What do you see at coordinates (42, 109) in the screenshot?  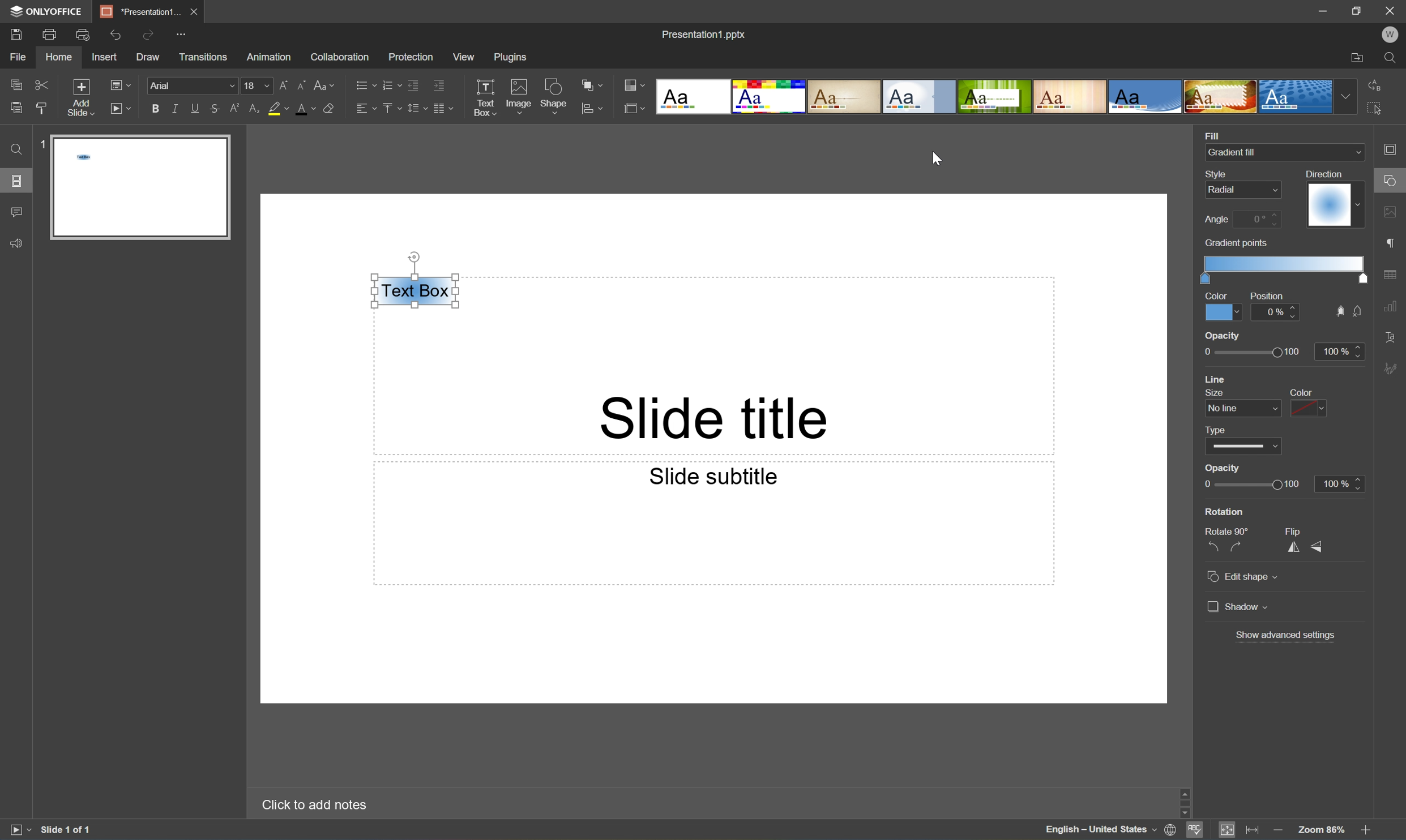 I see `Copy style` at bounding box center [42, 109].